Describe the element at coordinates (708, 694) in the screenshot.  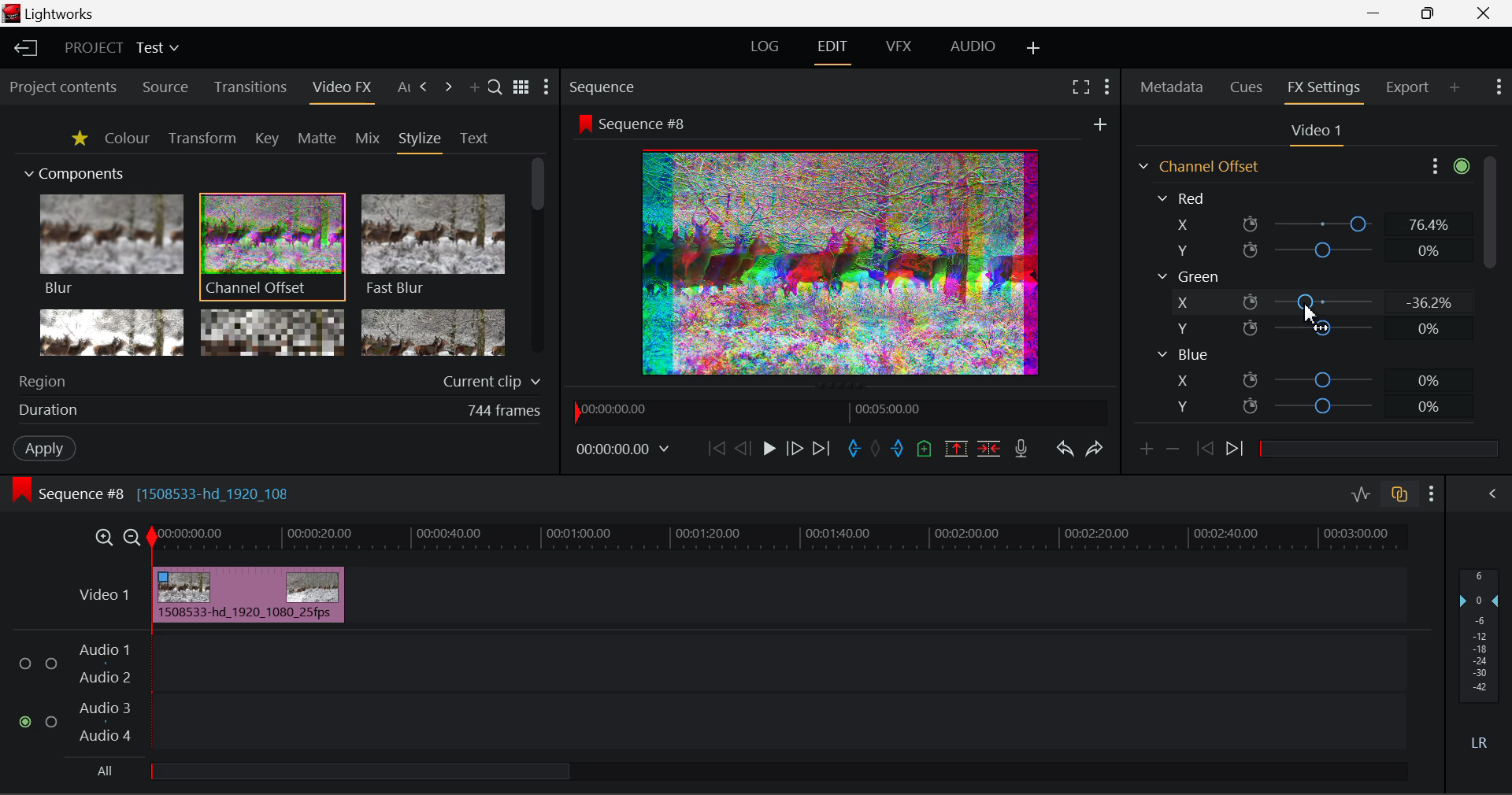
I see `Audio Input Field` at that location.